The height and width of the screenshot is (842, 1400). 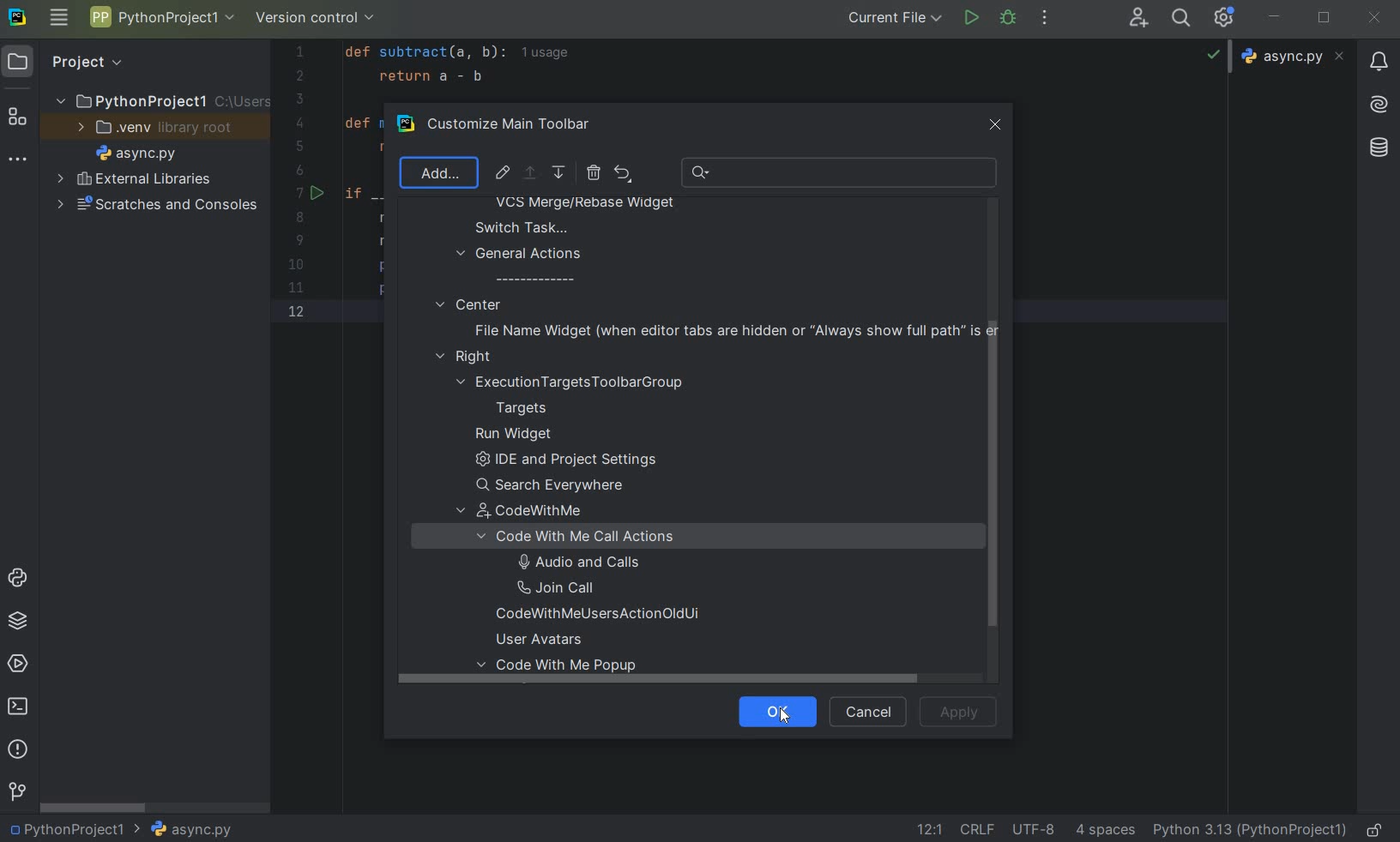 What do you see at coordinates (135, 180) in the screenshot?
I see `EXTERNAL LIBRARIES` at bounding box center [135, 180].